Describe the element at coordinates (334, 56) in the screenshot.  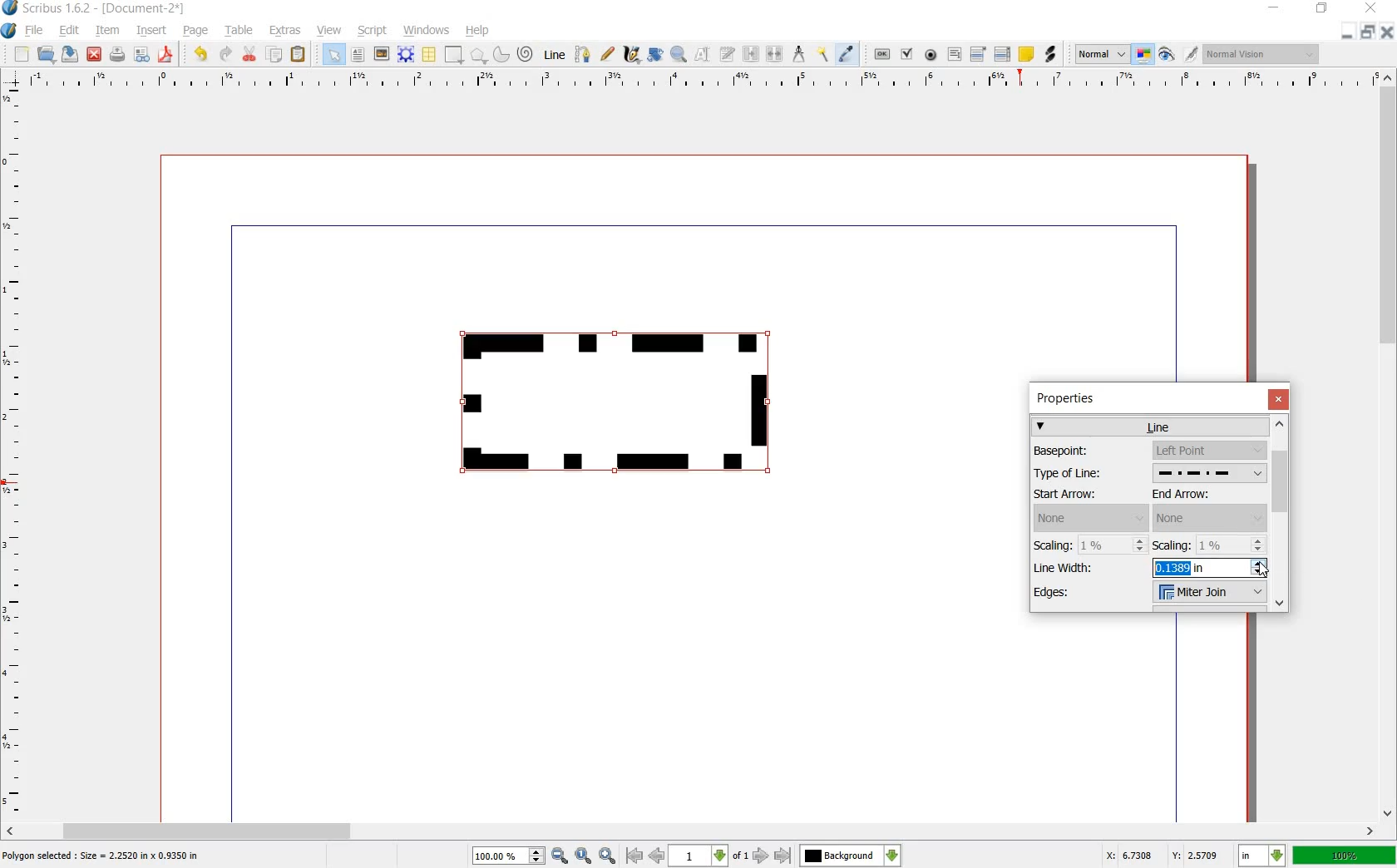
I see `SELECT` at that location.